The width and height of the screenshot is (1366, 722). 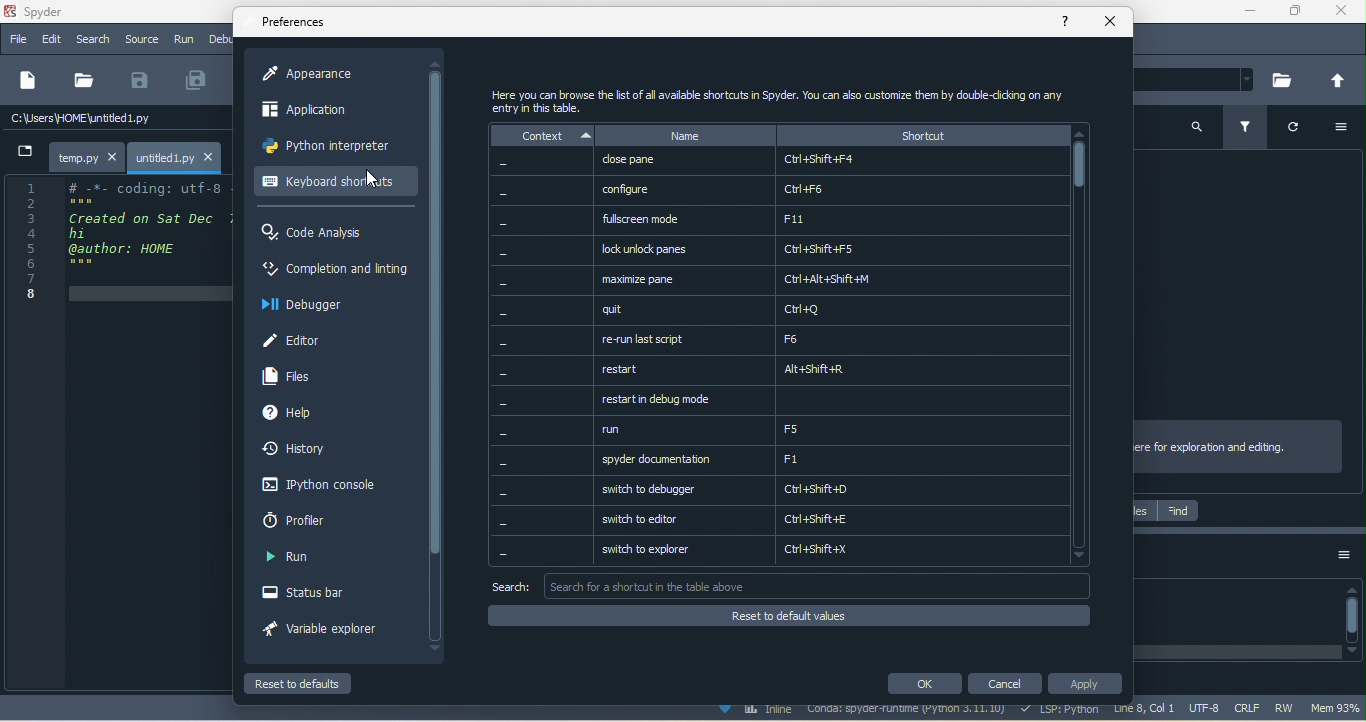 What do you see at coordinates (221, 38) in the screenshot?
I see `debug` at bounding box center [221, 38].